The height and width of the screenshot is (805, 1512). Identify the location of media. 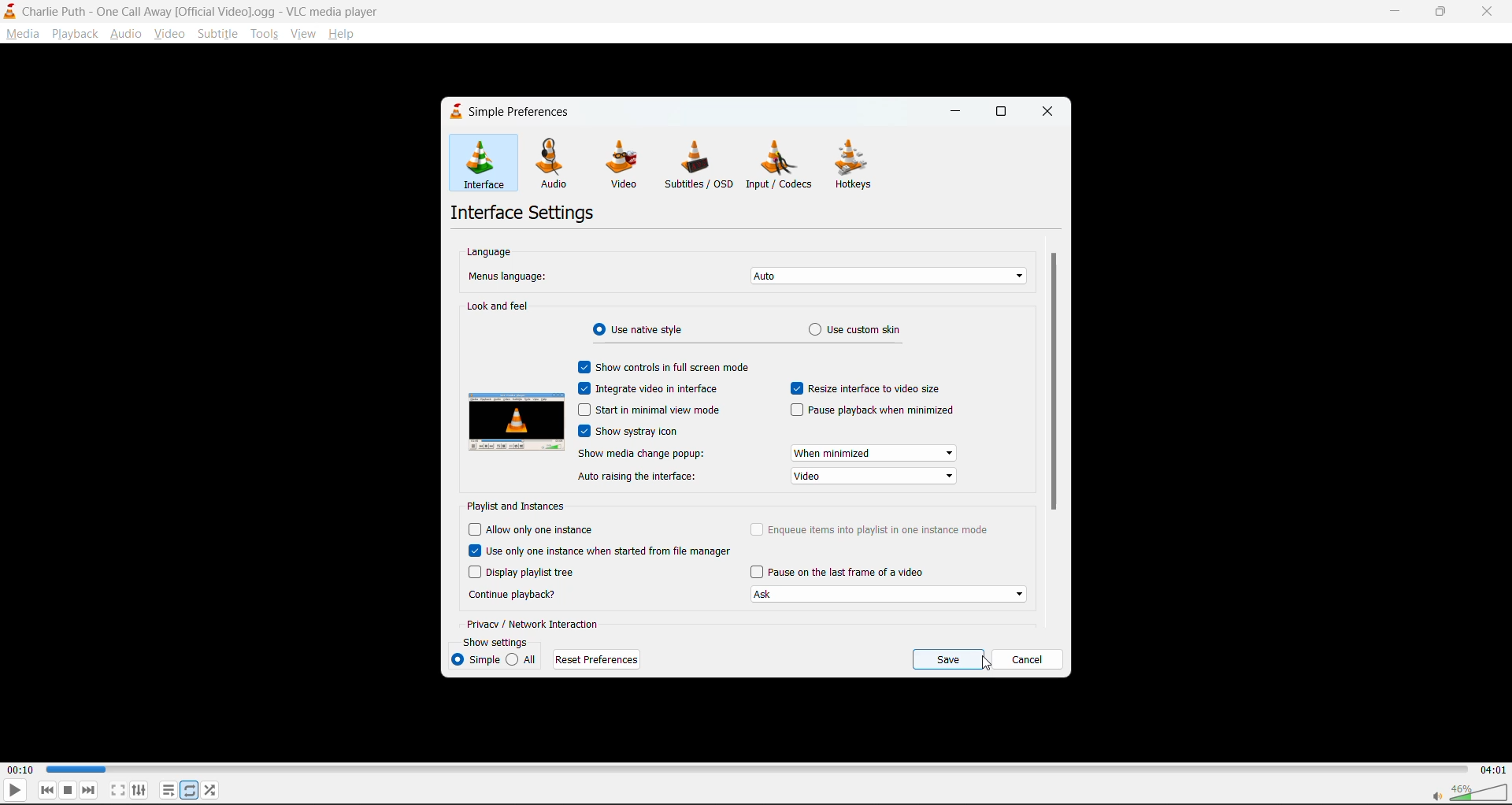
(20, 35).